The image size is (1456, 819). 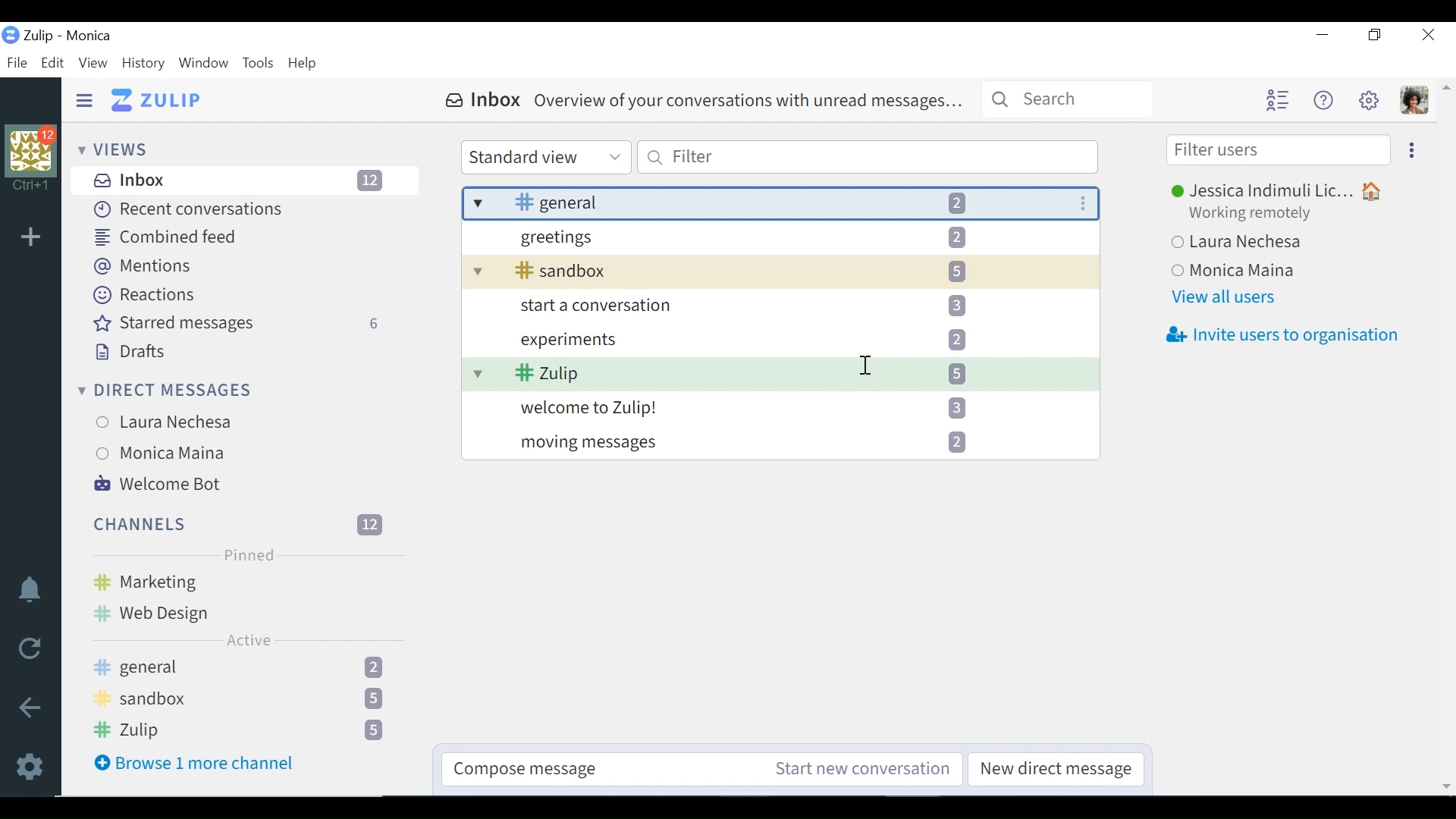 I want to click on minimize, so click(x=1322, y=35).